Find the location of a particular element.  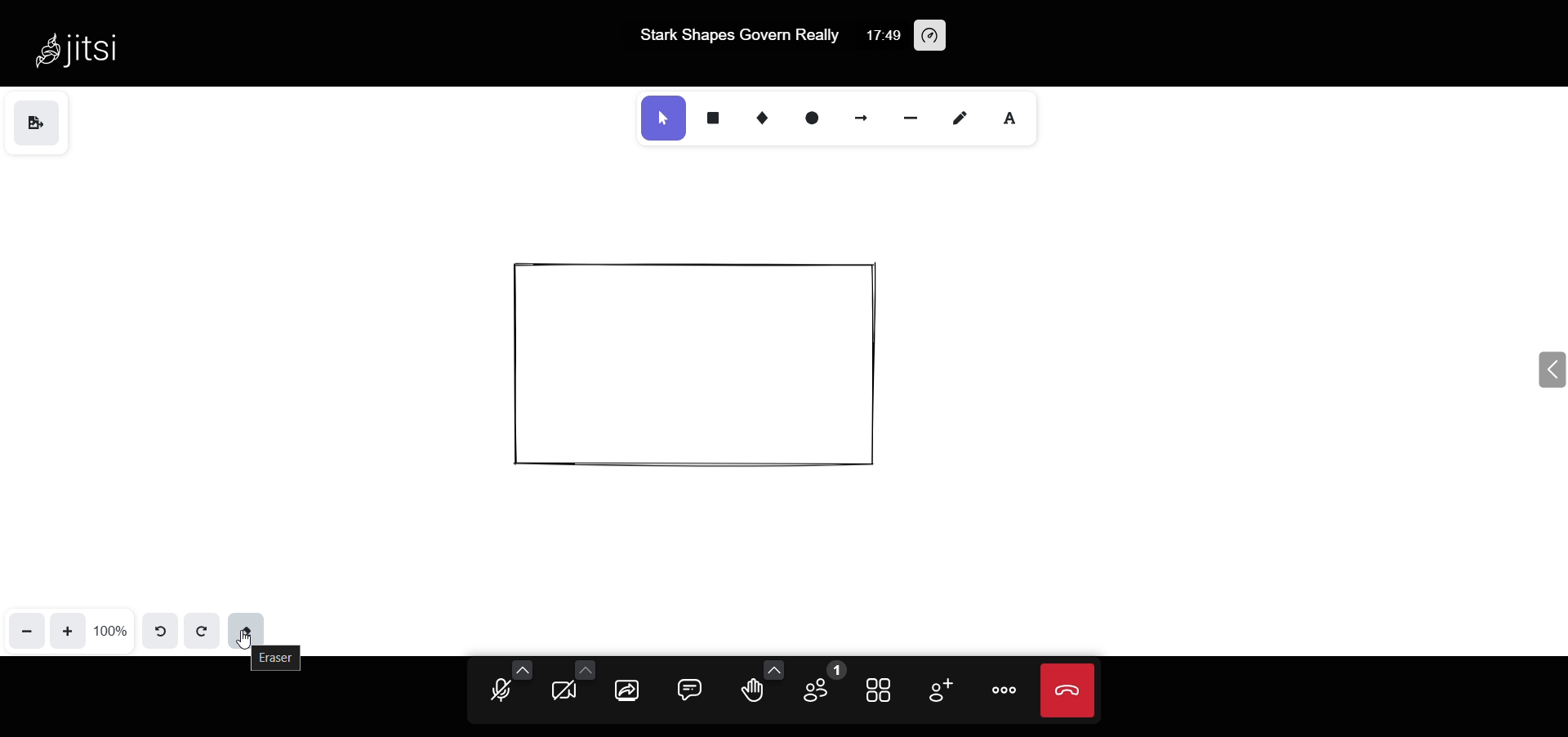

performance setting is located at coordinates (944, 37).